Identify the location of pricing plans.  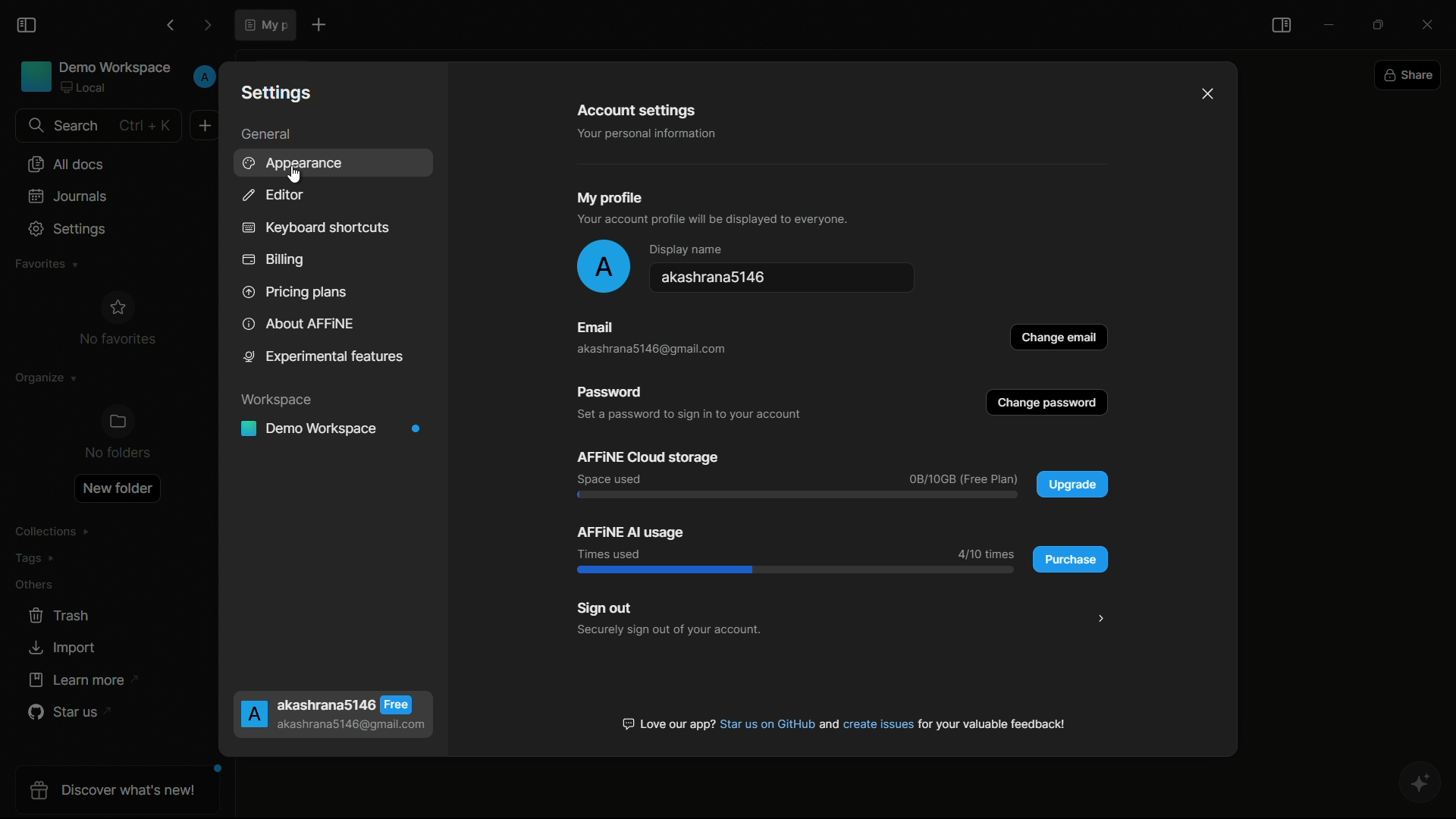
(293, 290).